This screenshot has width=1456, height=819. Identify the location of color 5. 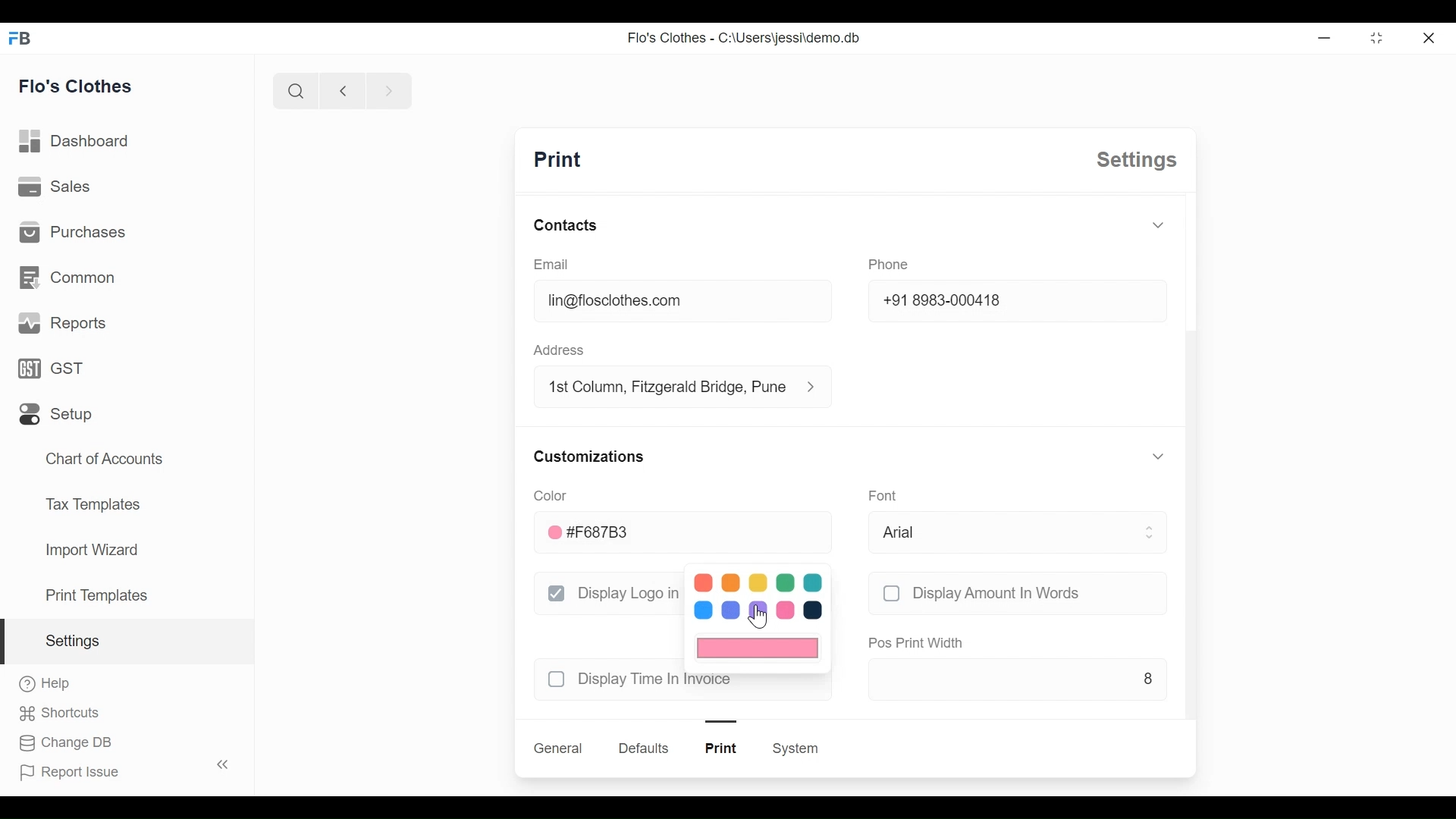
(813, 582).